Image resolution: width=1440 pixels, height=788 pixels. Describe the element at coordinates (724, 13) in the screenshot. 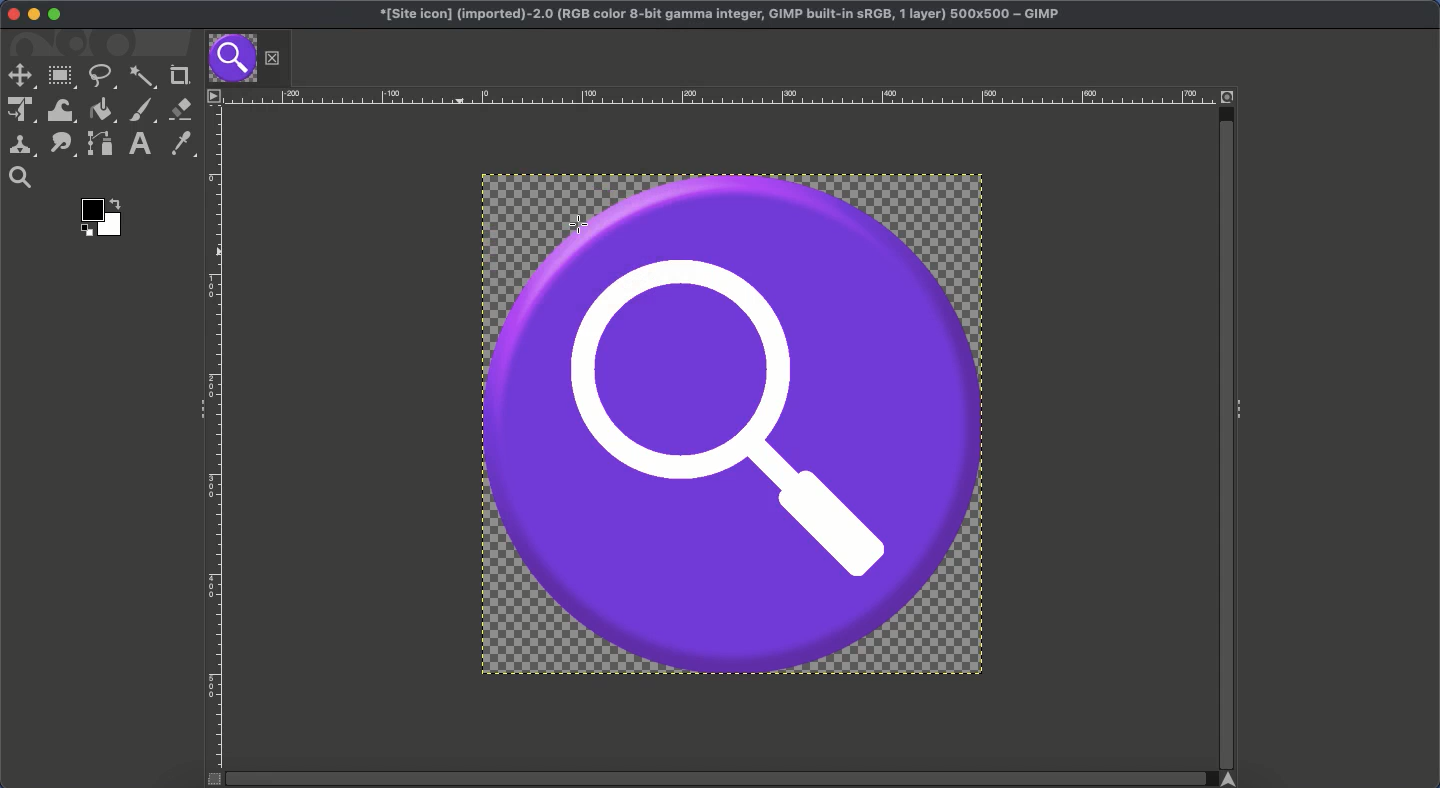

I see `GIMP project` at that location.